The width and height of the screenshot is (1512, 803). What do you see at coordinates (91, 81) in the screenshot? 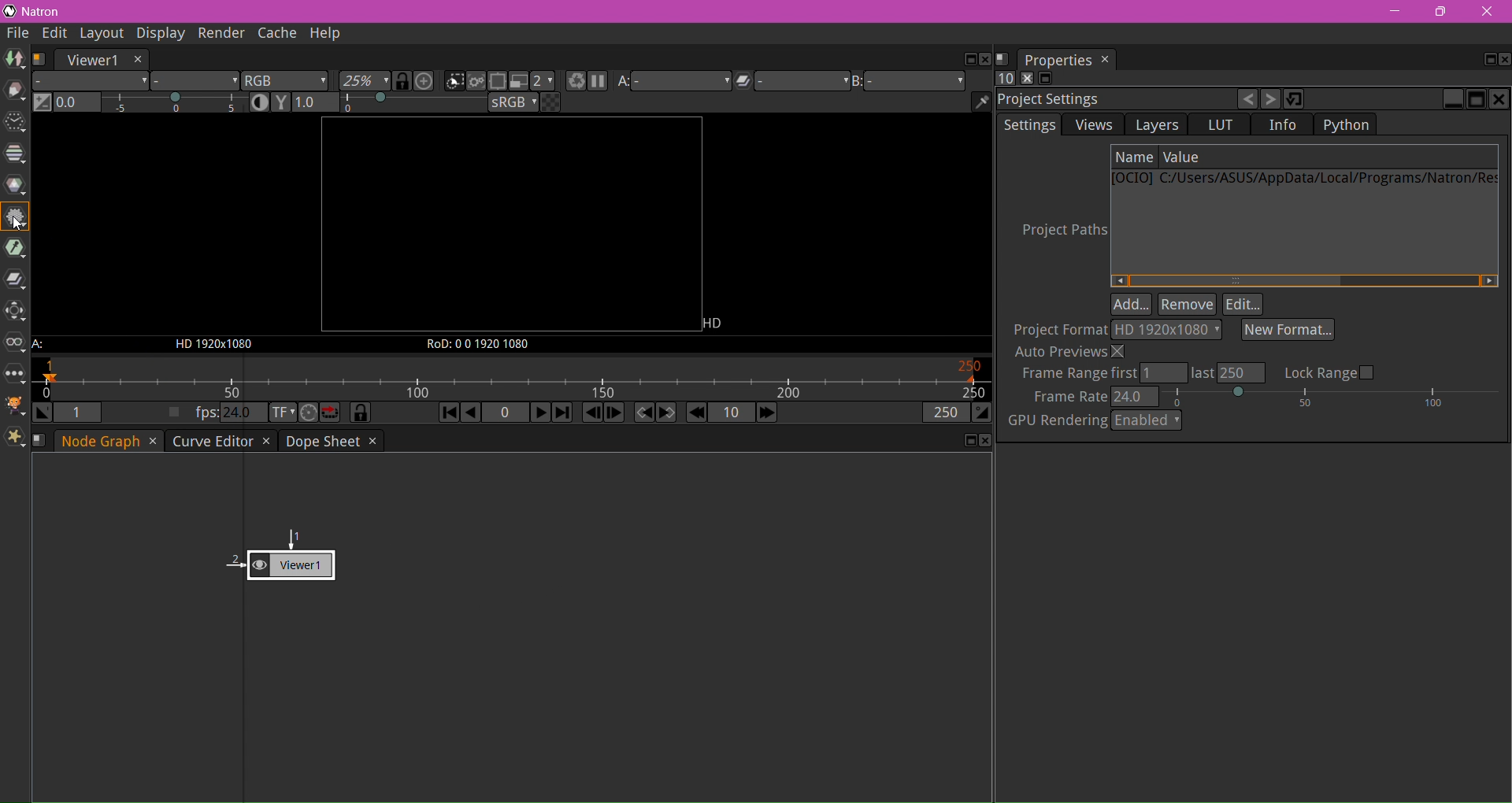
I see `Layer` at bounding box center [91, 81].